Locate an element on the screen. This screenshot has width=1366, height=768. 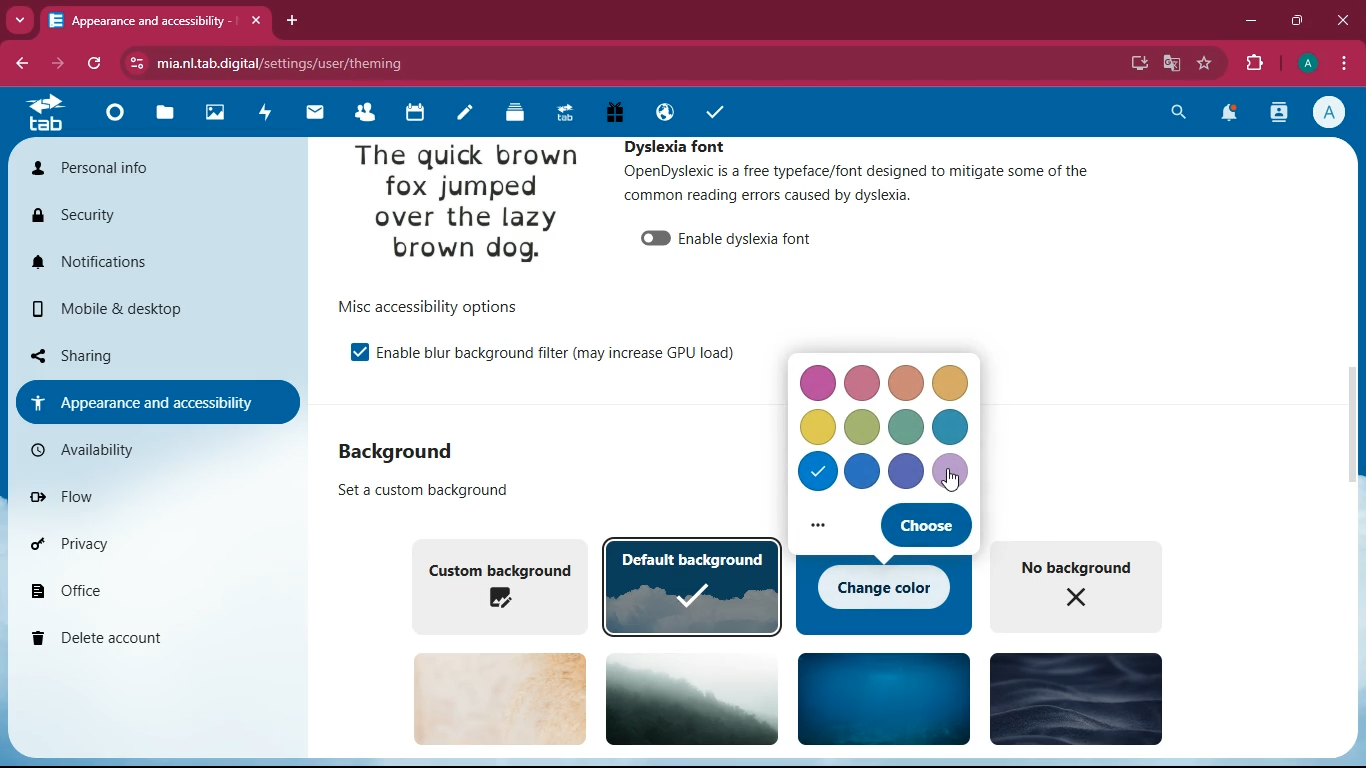
tasks is located at coordinates (714, 113).